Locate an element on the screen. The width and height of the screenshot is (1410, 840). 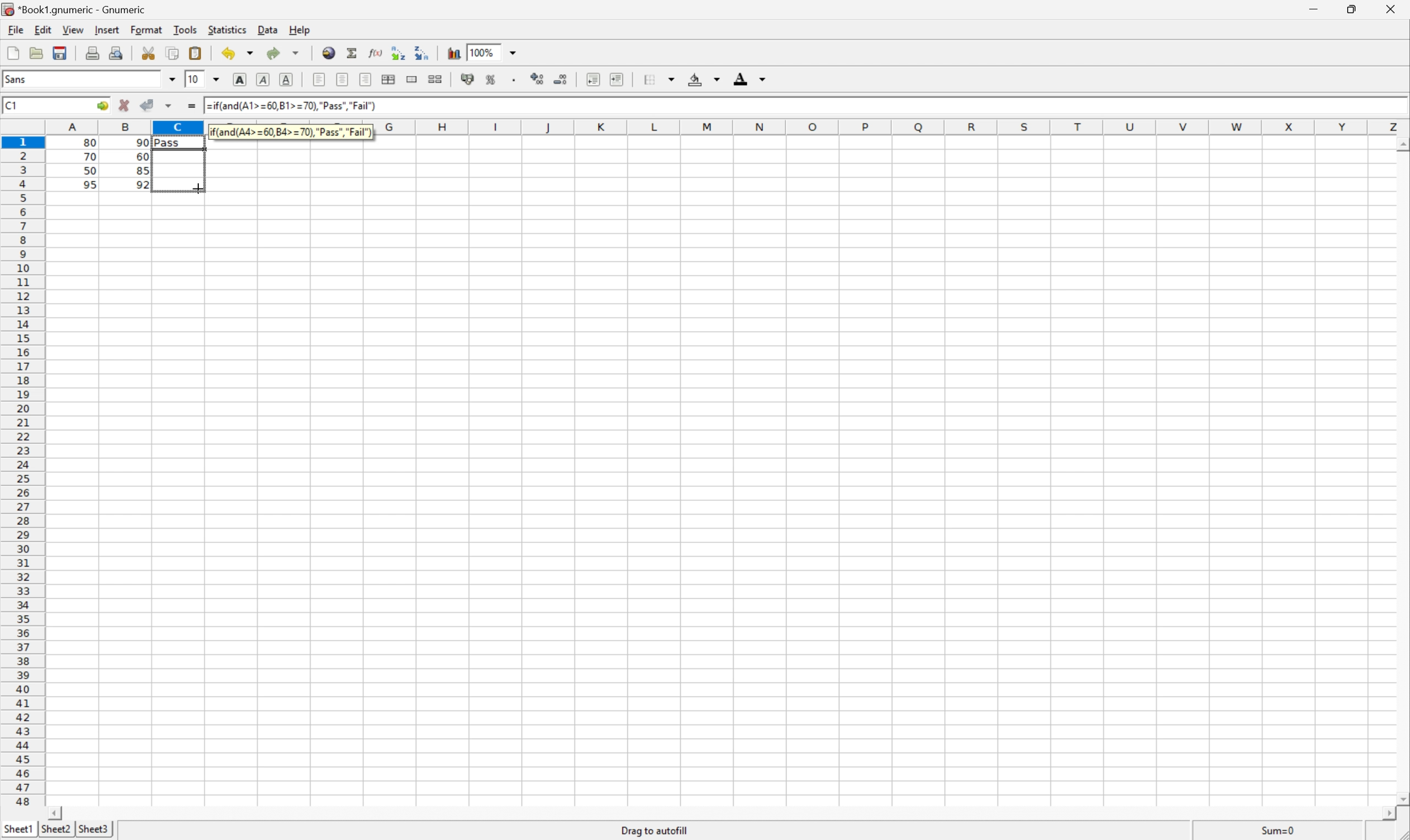
Scroll Left is located at coordinates (59, 809).